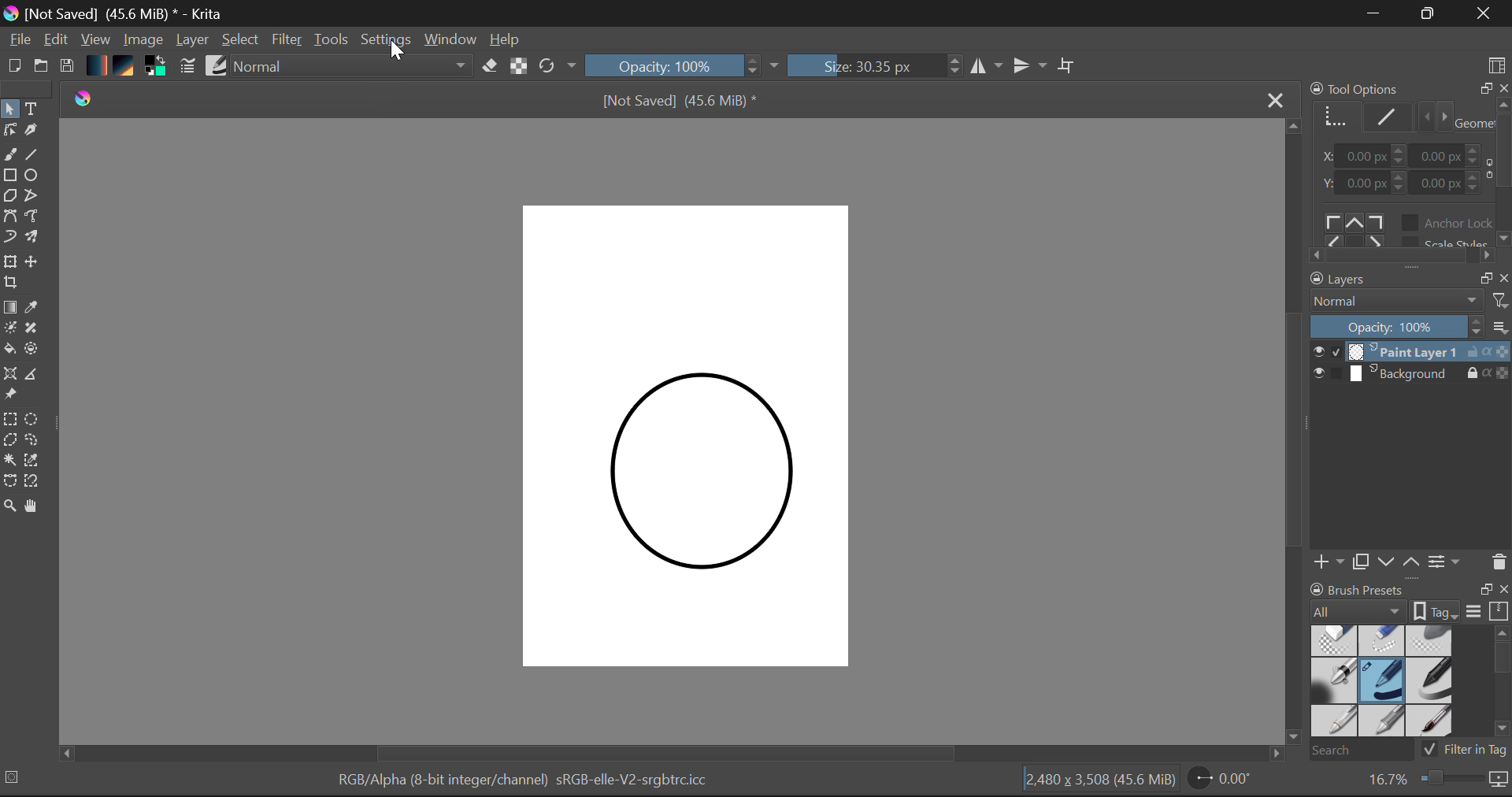 The image size is (1512, 797). Describe the element at coordinates (96, 39) in the screenshot. I see `View` at that location.